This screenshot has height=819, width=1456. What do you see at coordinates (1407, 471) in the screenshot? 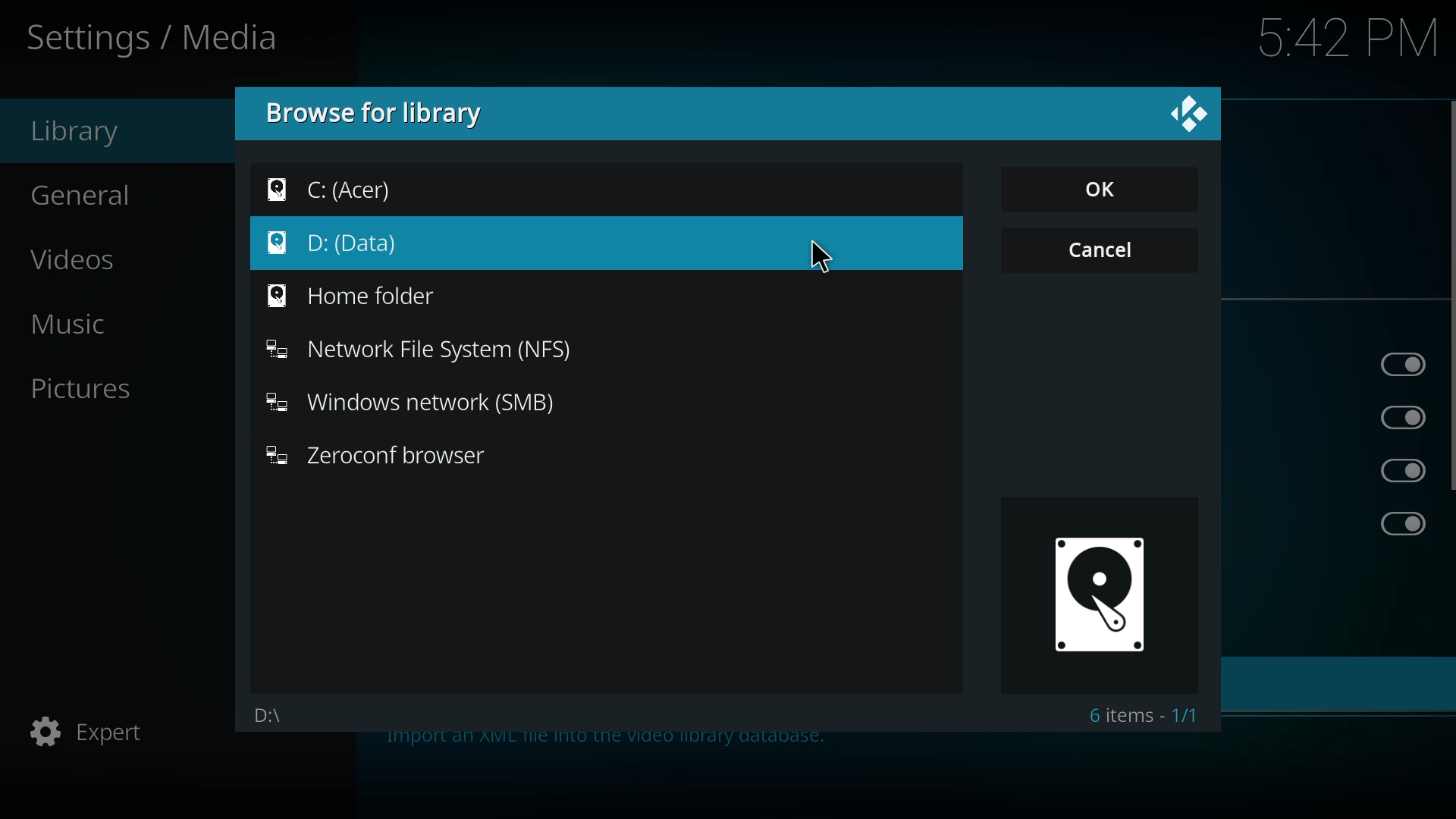
I see `enabled` at bounding box center [1407, 471].